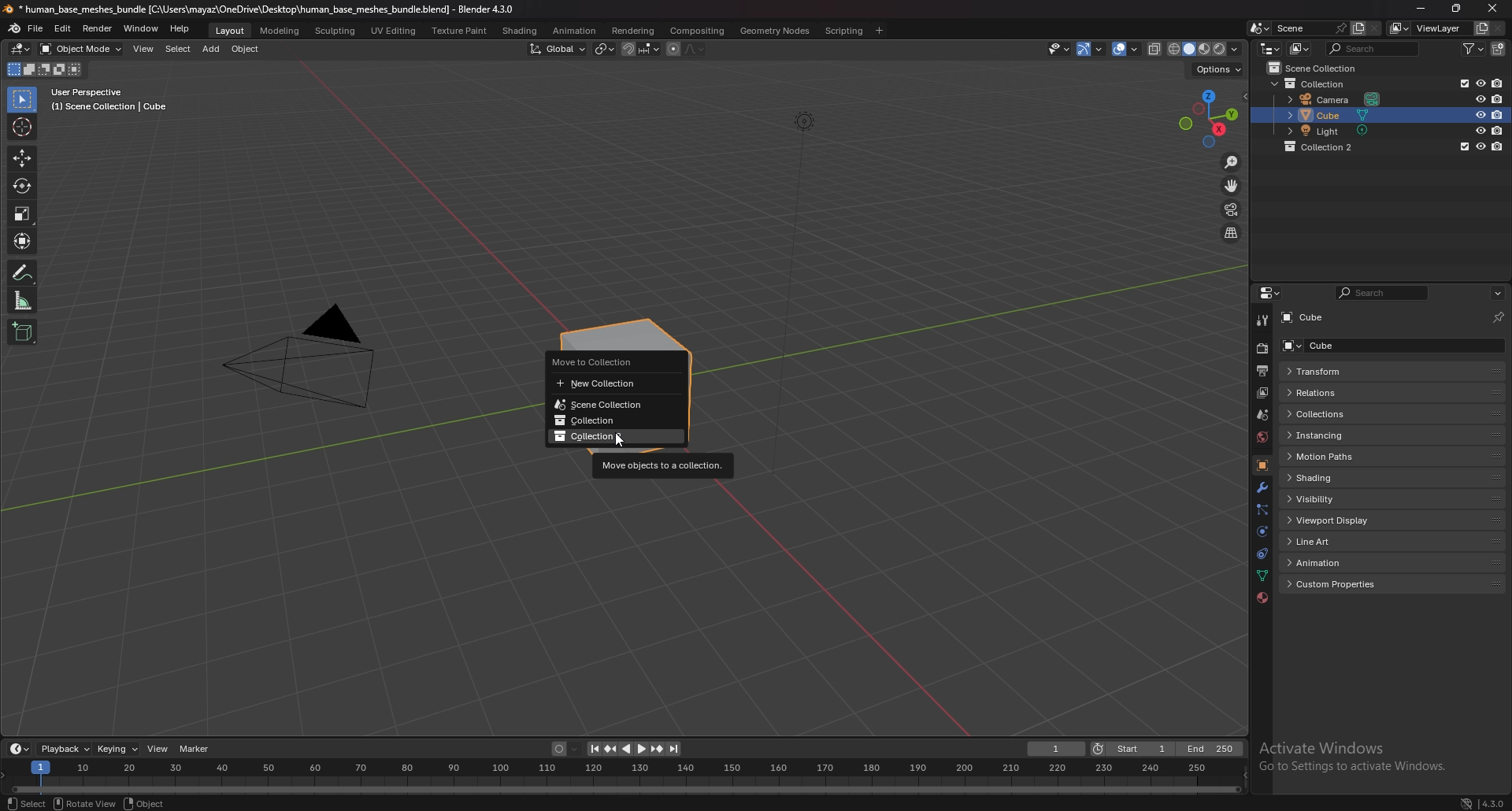 This screenshot has height=811, width=1512. What do you see at coordinates (1294, 28) in the screenshot?
I see `scene` at bounding box center [1294, 28].